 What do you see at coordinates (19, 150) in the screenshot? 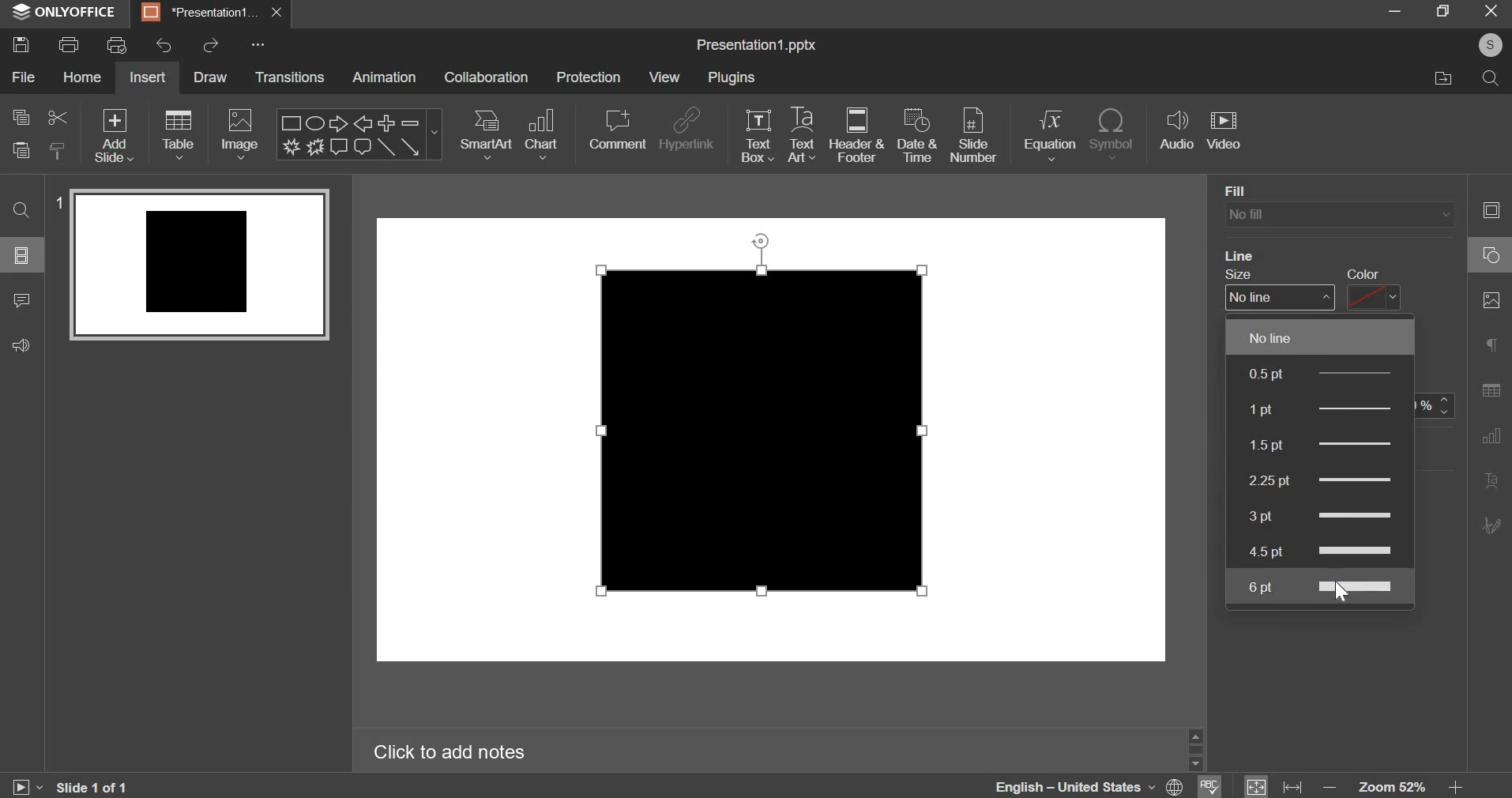
I see `paste` at bounding box center [19, 150].